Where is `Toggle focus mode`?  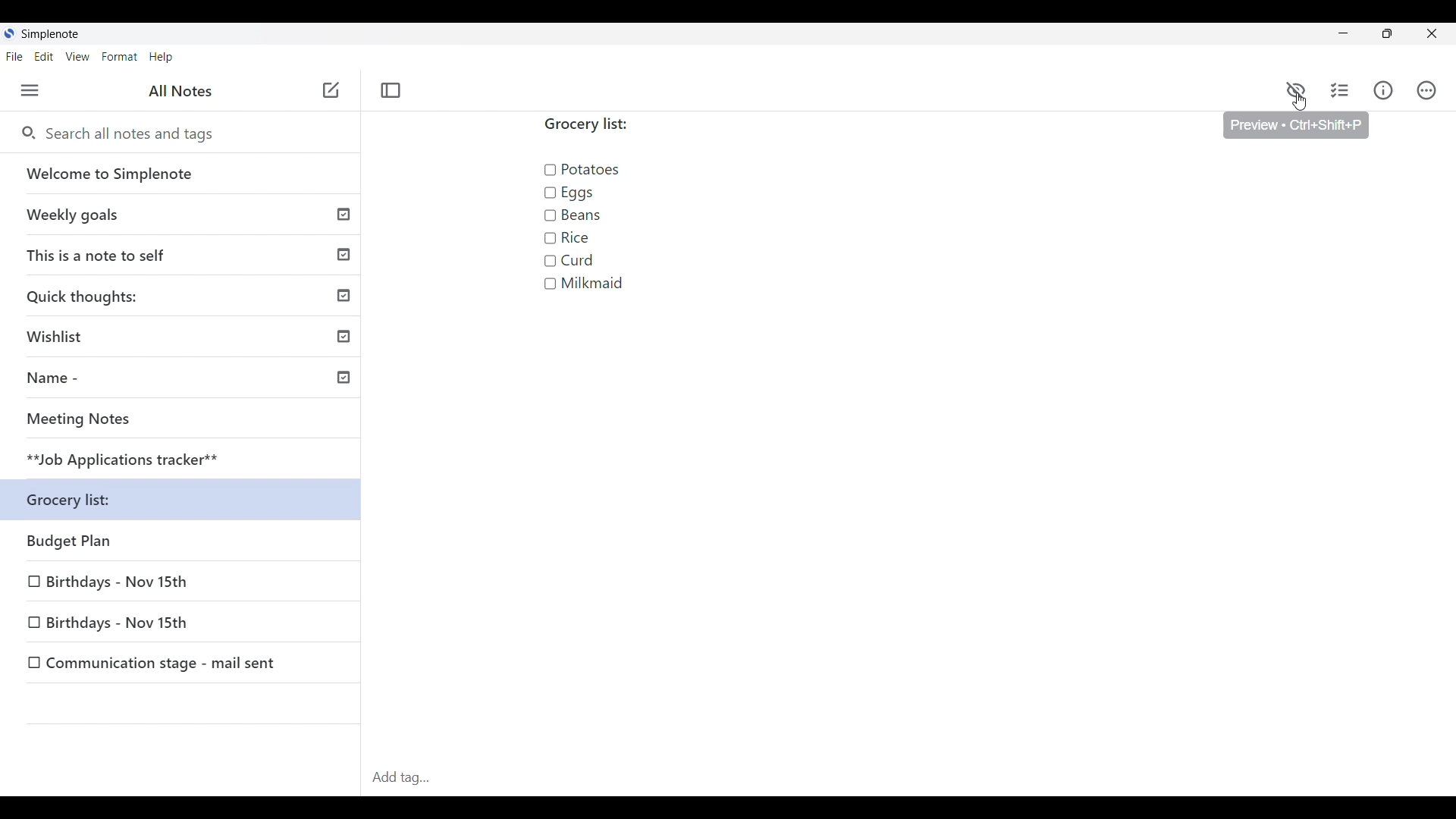
Toggle focus mode is located at coordinates (391, 90).